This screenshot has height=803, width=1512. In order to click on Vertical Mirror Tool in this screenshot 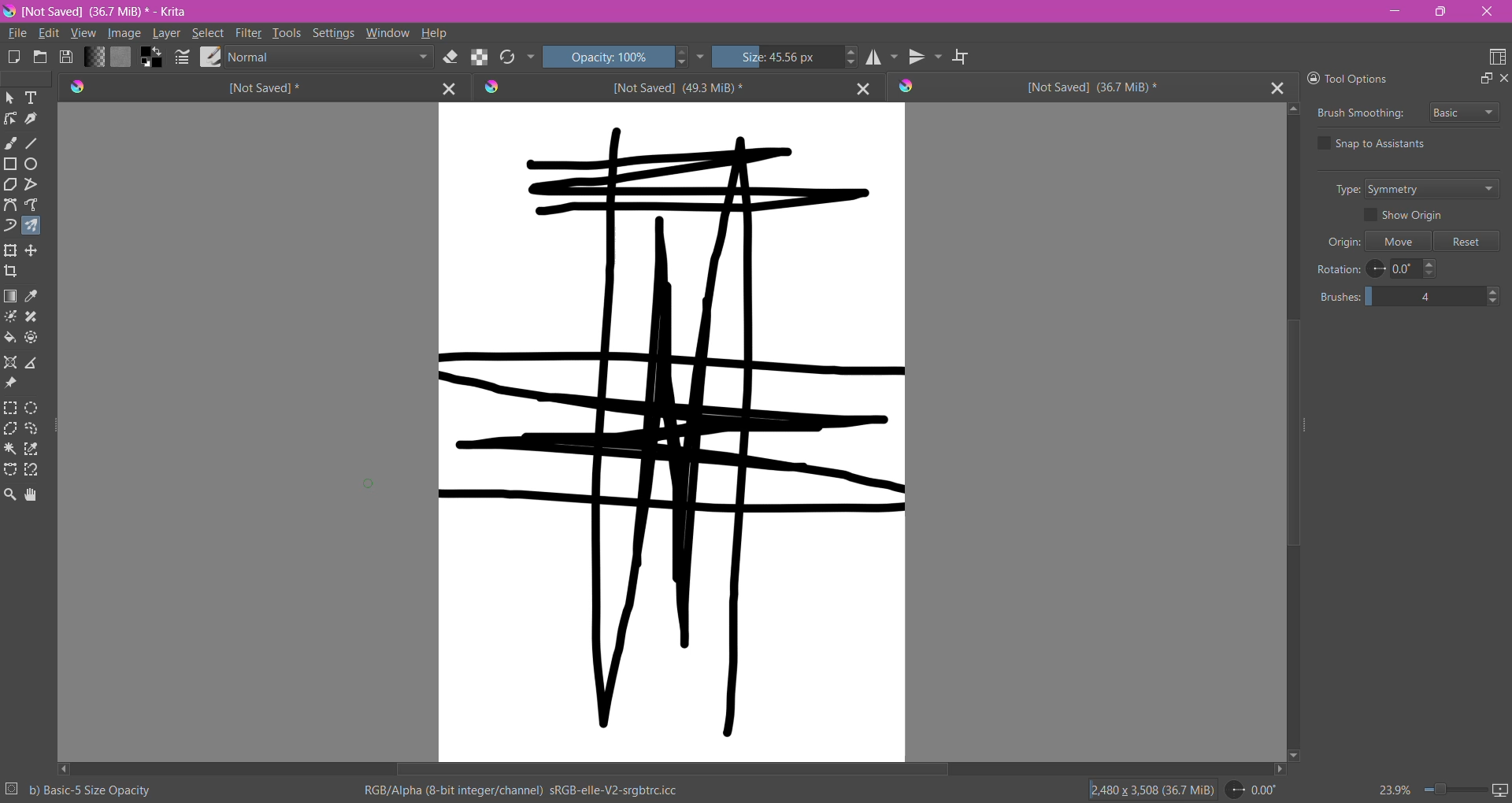, I will do `click(926, 57)`.